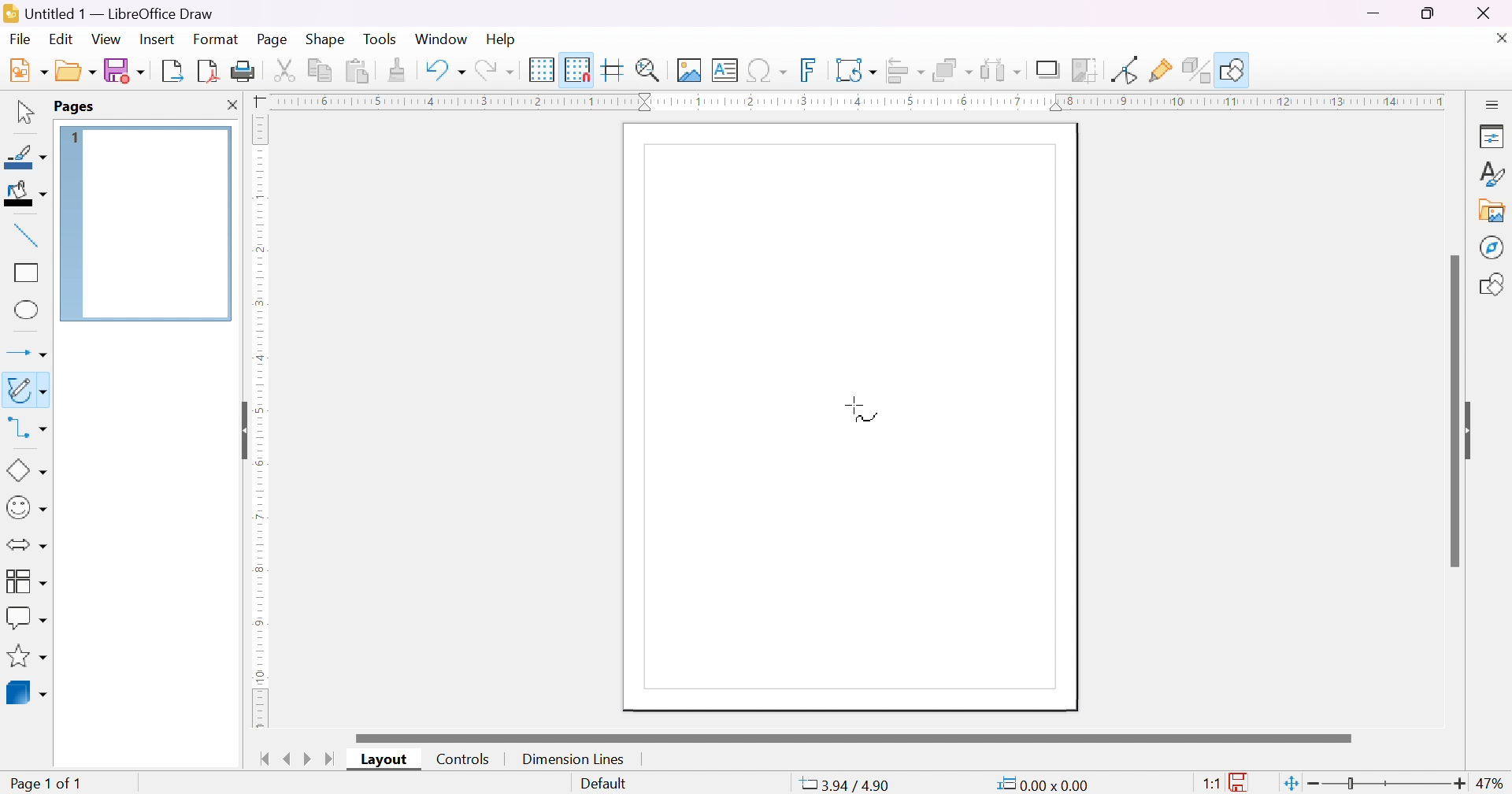  Describe the element at coordinates (106, 39) in the screenshot. I see `view` at that location.